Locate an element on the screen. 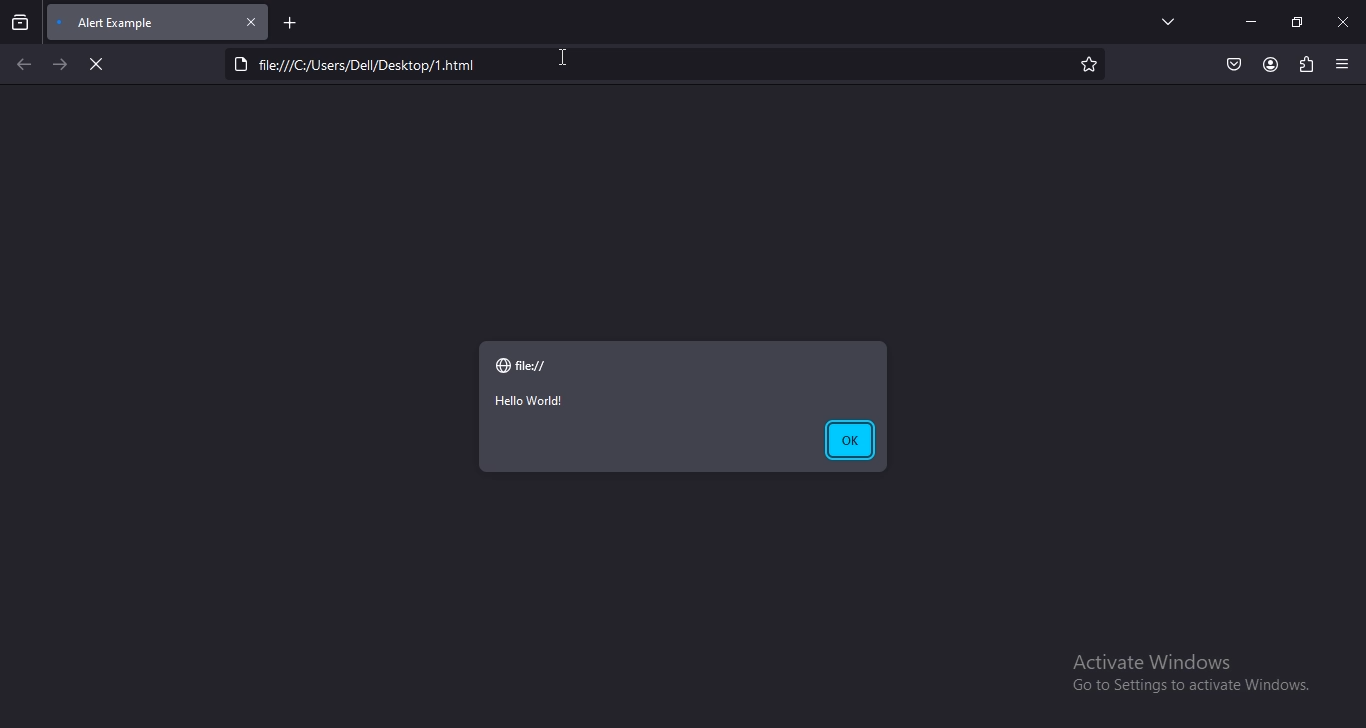  dropdown is located at coordinates (1166, 21).